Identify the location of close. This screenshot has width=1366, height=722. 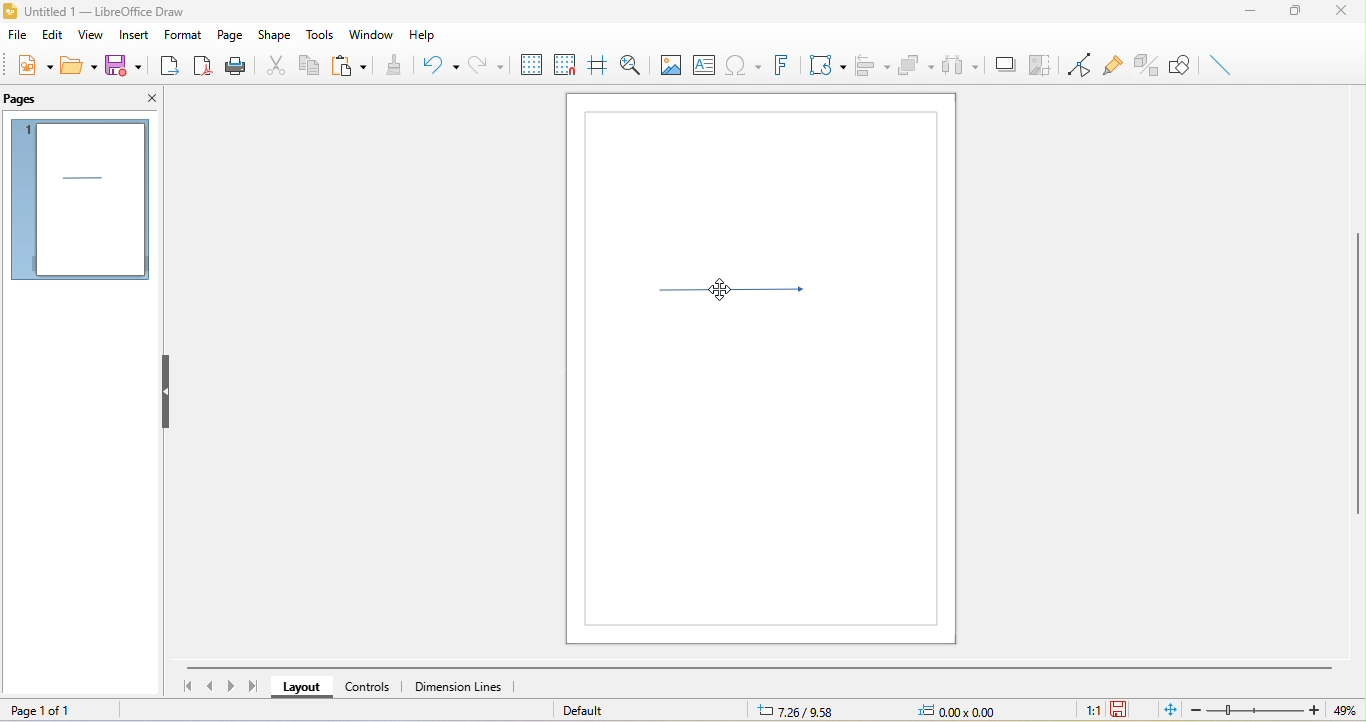
(148, 101).